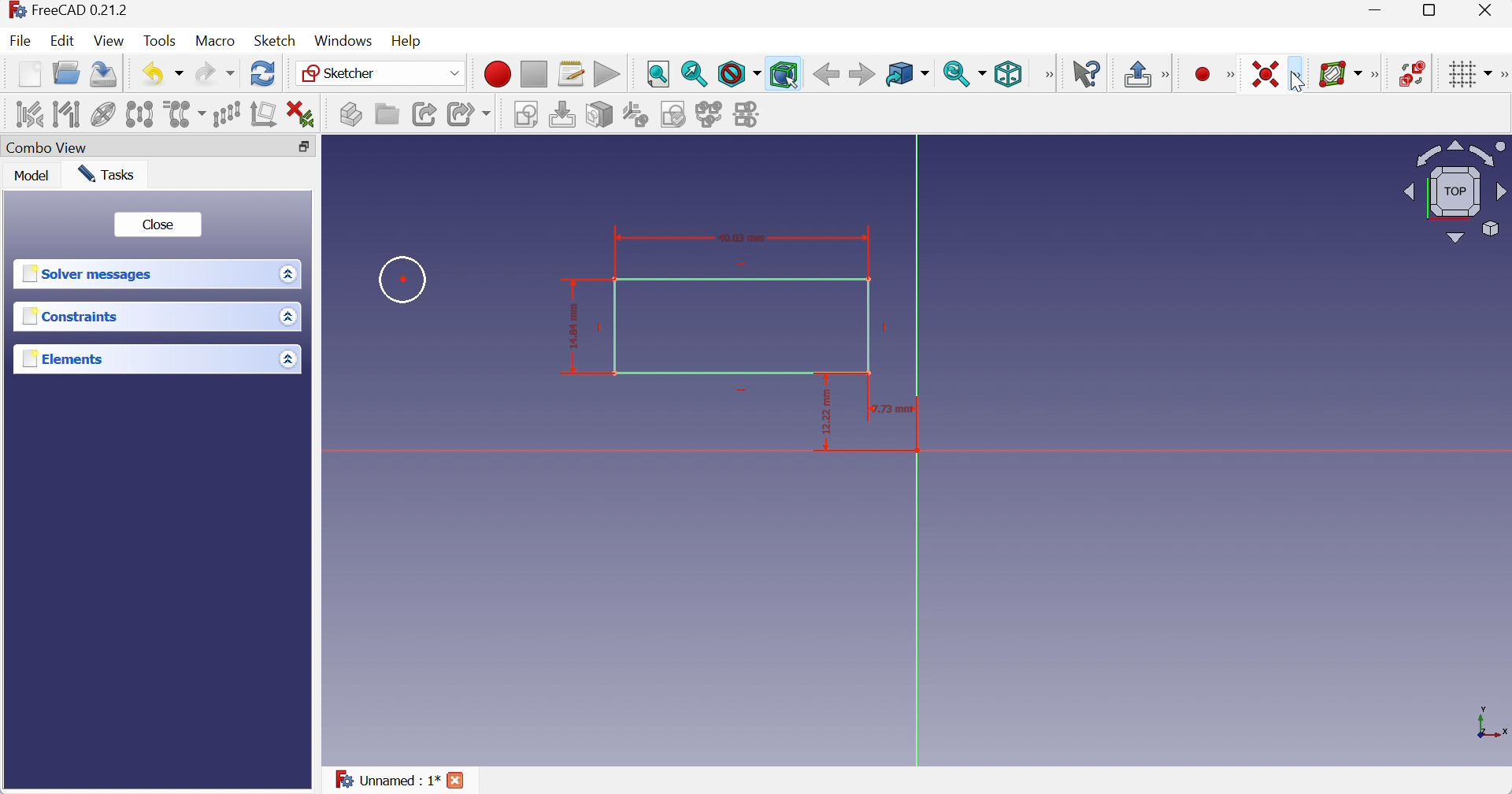 The image size is (1512, 794). I want to click on Toggle grid, so click(1473, 75).